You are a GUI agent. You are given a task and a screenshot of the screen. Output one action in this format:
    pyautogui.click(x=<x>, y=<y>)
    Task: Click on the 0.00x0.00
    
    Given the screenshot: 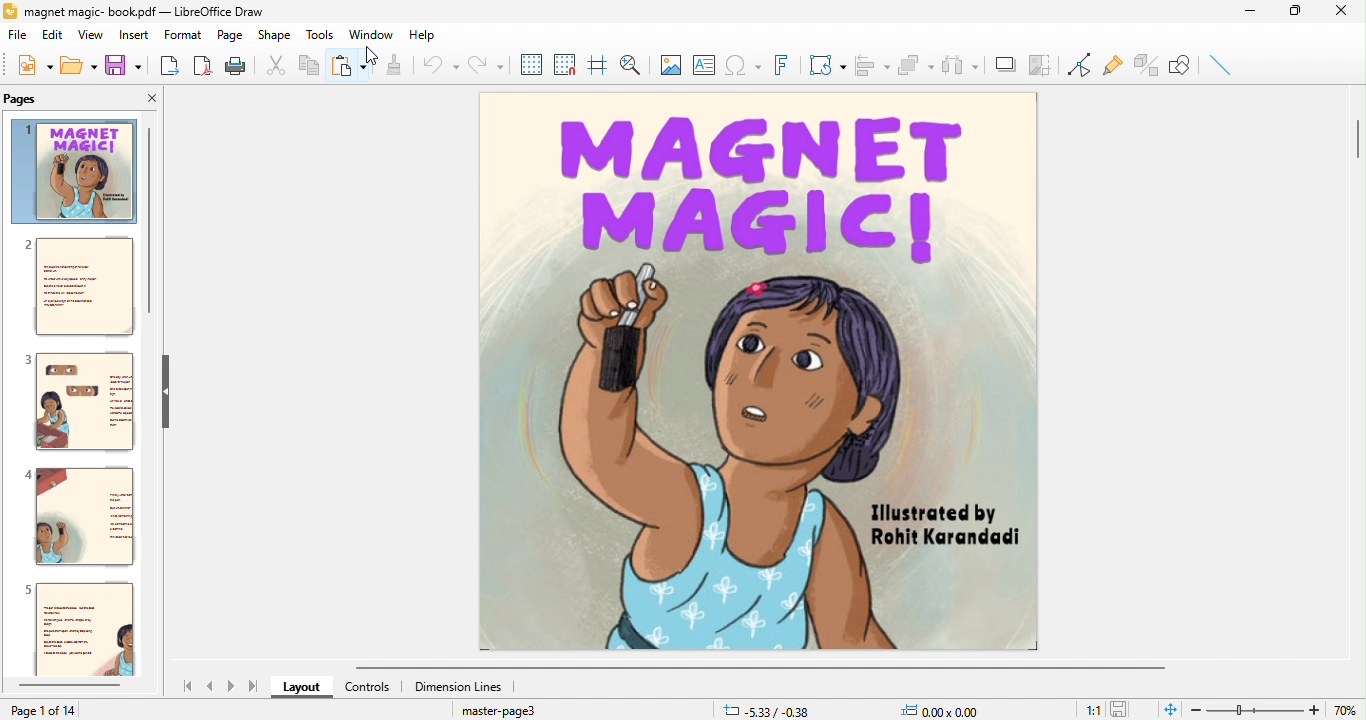 What is the action you would take?
    pyautogui.click(x=937, y=707)
    